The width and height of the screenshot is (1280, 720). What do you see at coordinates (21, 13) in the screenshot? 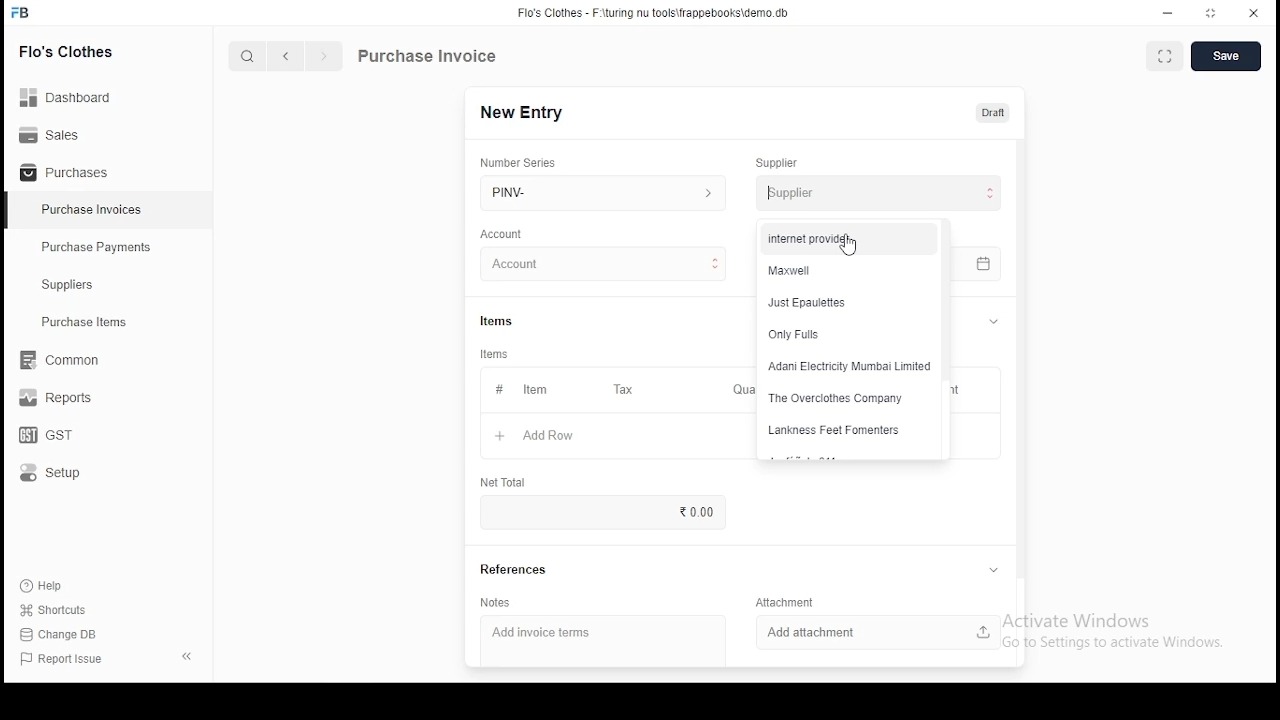
I see `icon` at bounding box center [21, 13].